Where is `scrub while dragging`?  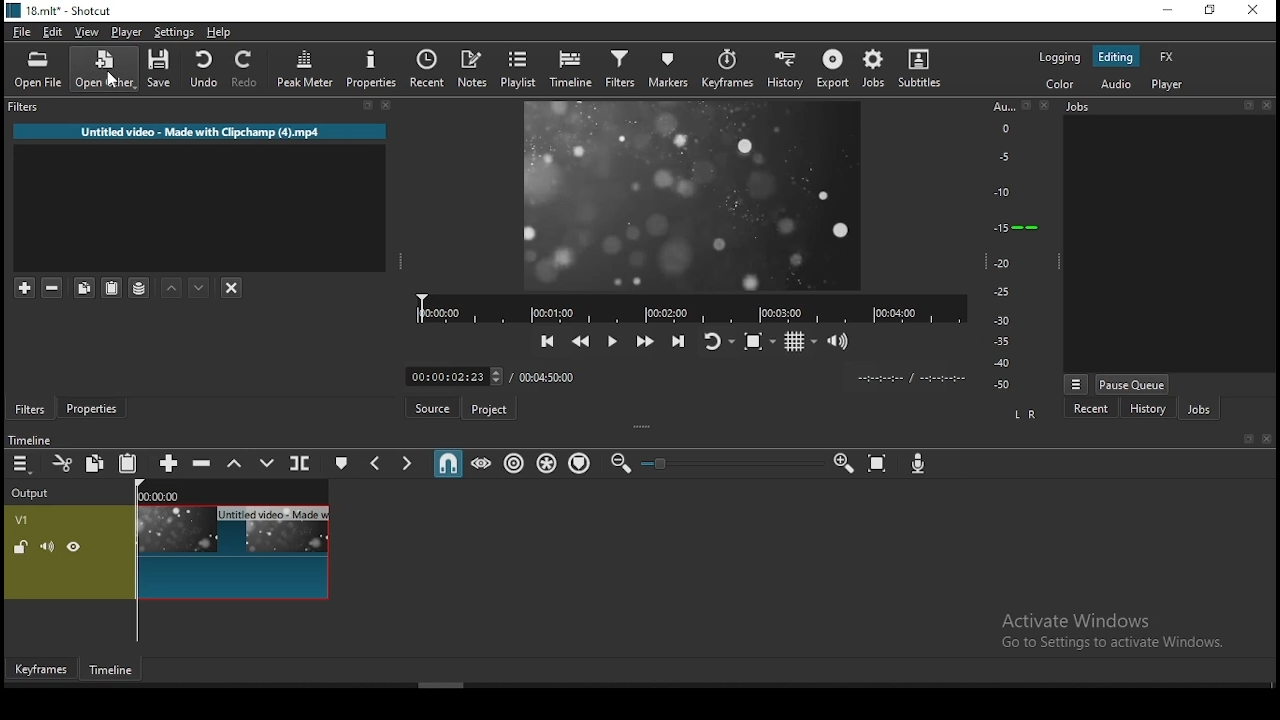
scrub while dragging is located at coordinates (483, 464).